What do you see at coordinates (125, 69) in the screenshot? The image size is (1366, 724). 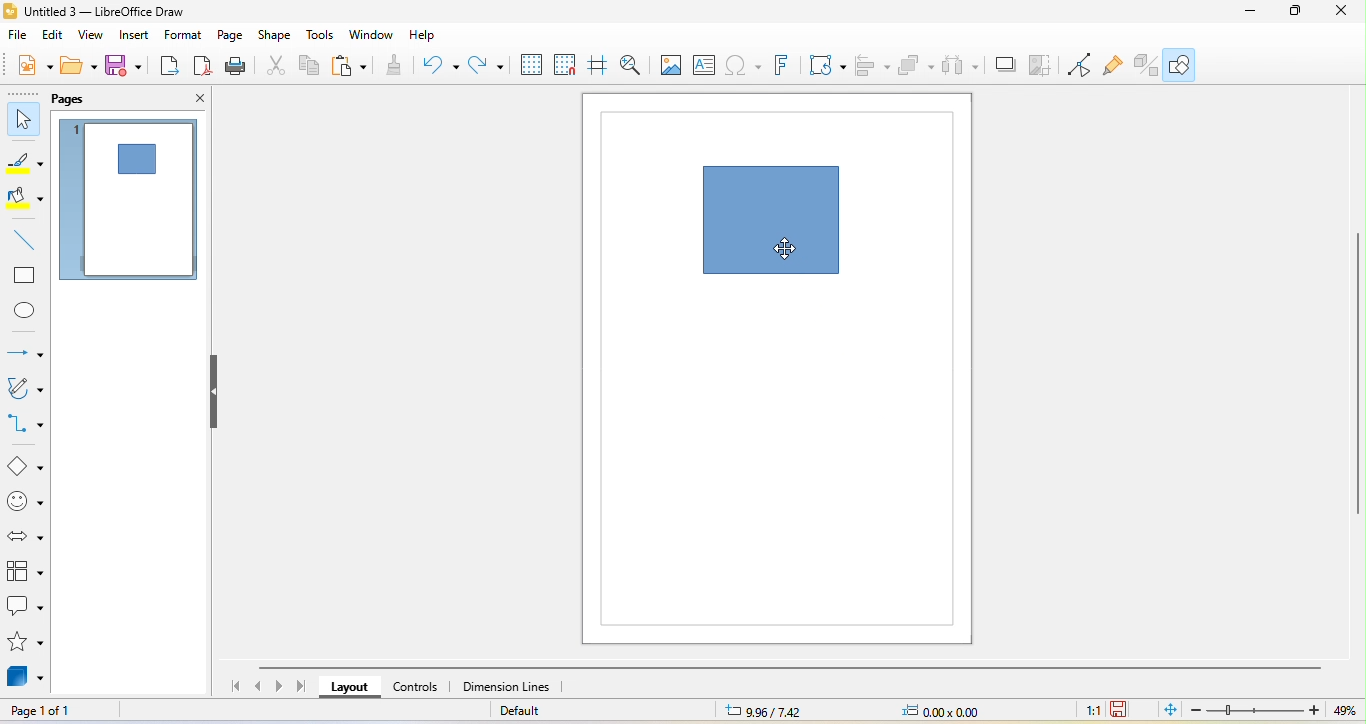 I see `save` at bounding box center [125, 69].